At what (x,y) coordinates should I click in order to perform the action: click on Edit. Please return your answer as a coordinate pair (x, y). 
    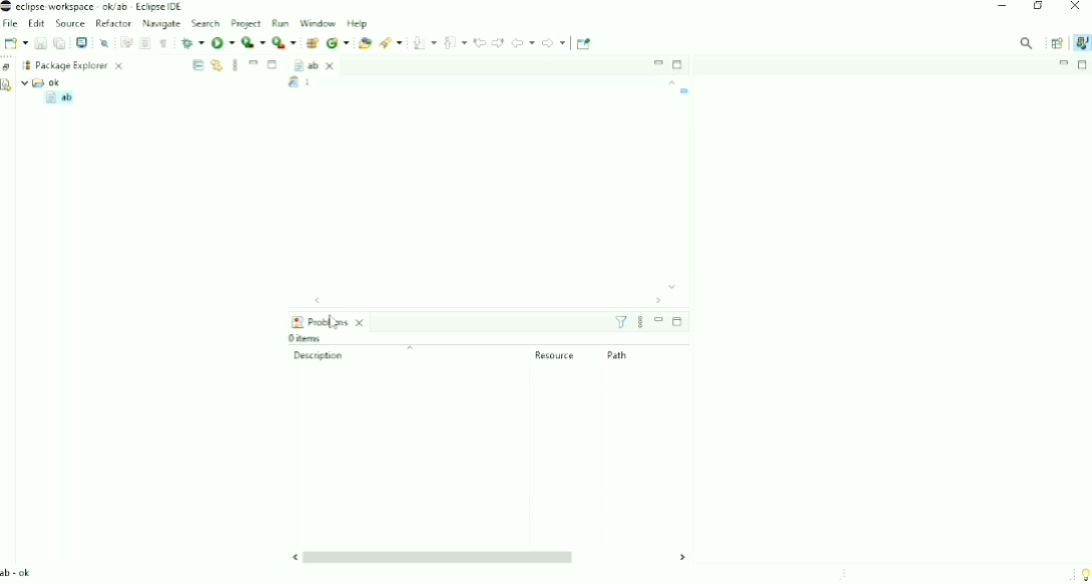
    Looking at the image, I should click on (36, 23).